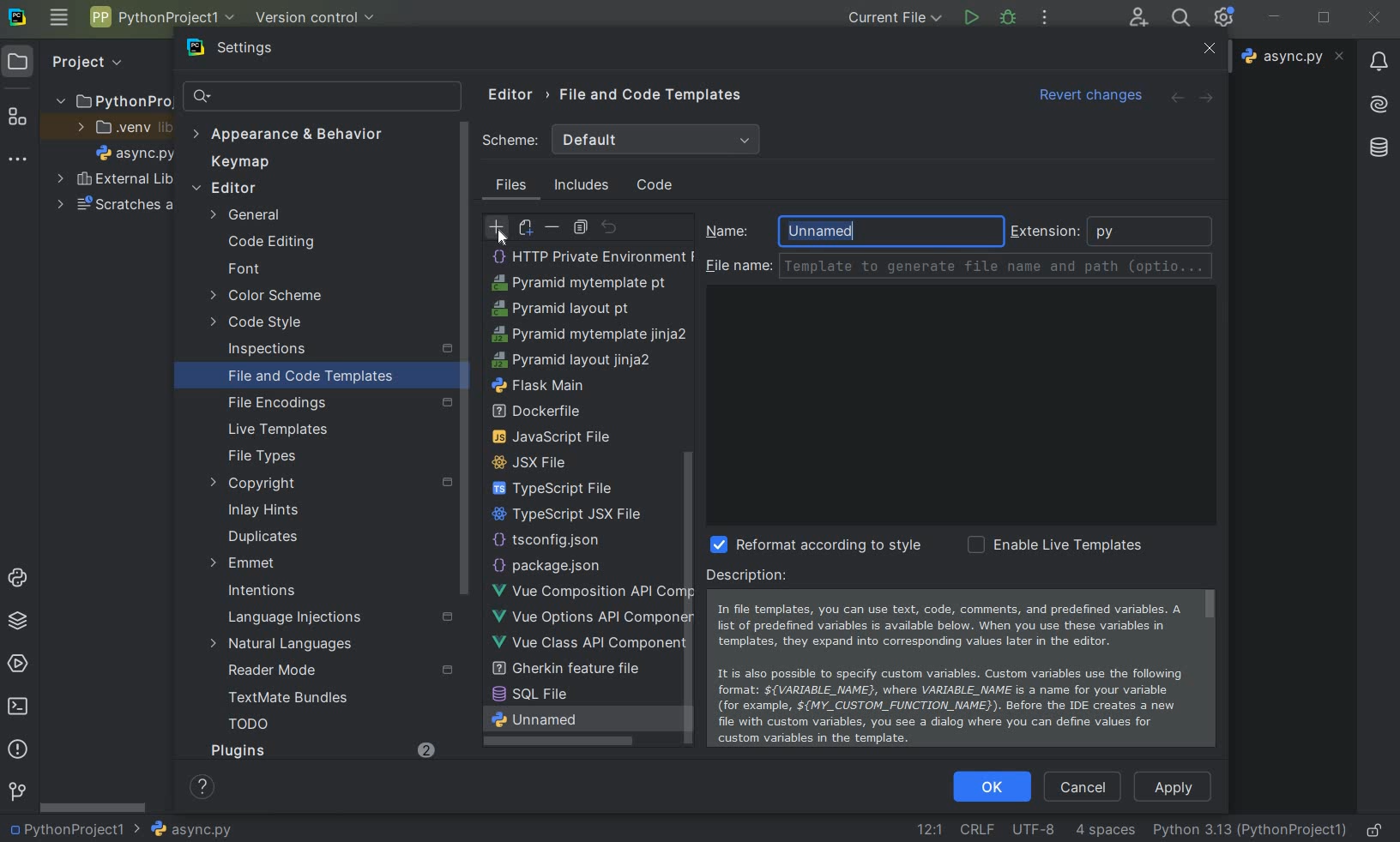  What do you see at coordinates (263, 325) in the screenshot?
I see `code style` at bounding box center [263, 325].